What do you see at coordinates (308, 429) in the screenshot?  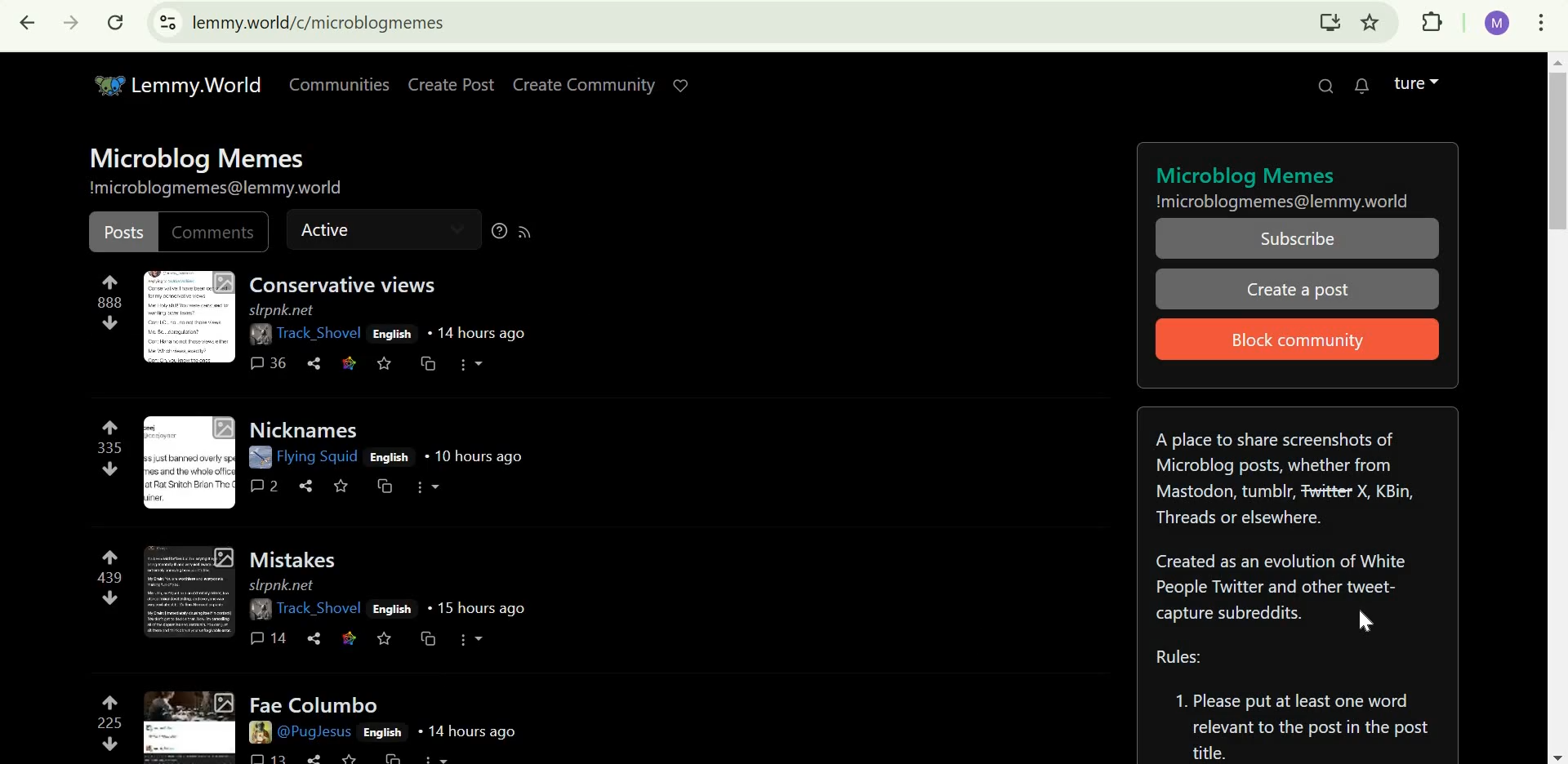 I see `Nicknames` at bounding box center [308, 429].